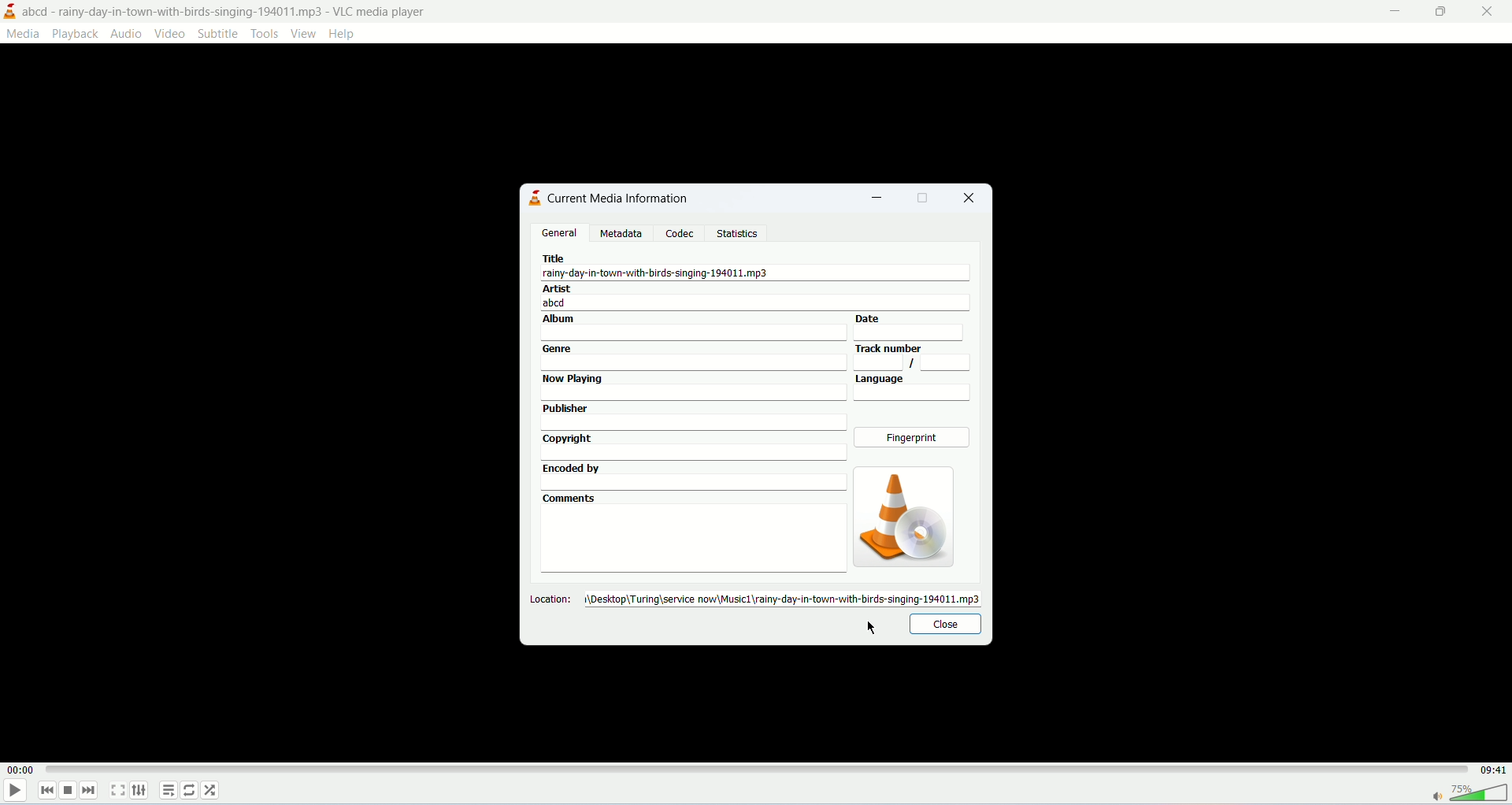 This screenshot has width=1512, height=805. Describe the element at coordinates (918, 327) in the screenshot. I see `date` at that location.